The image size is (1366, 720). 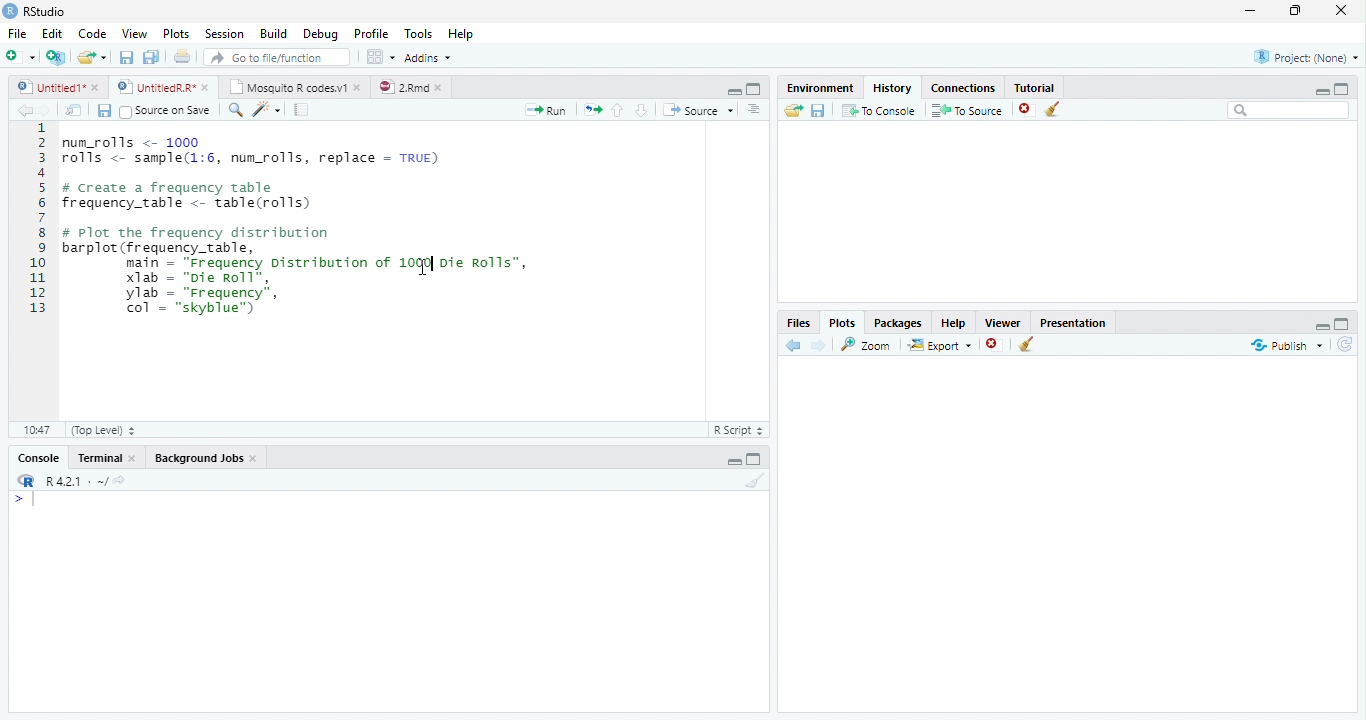 I want to click on Clear, so click(x=1053, y=109).